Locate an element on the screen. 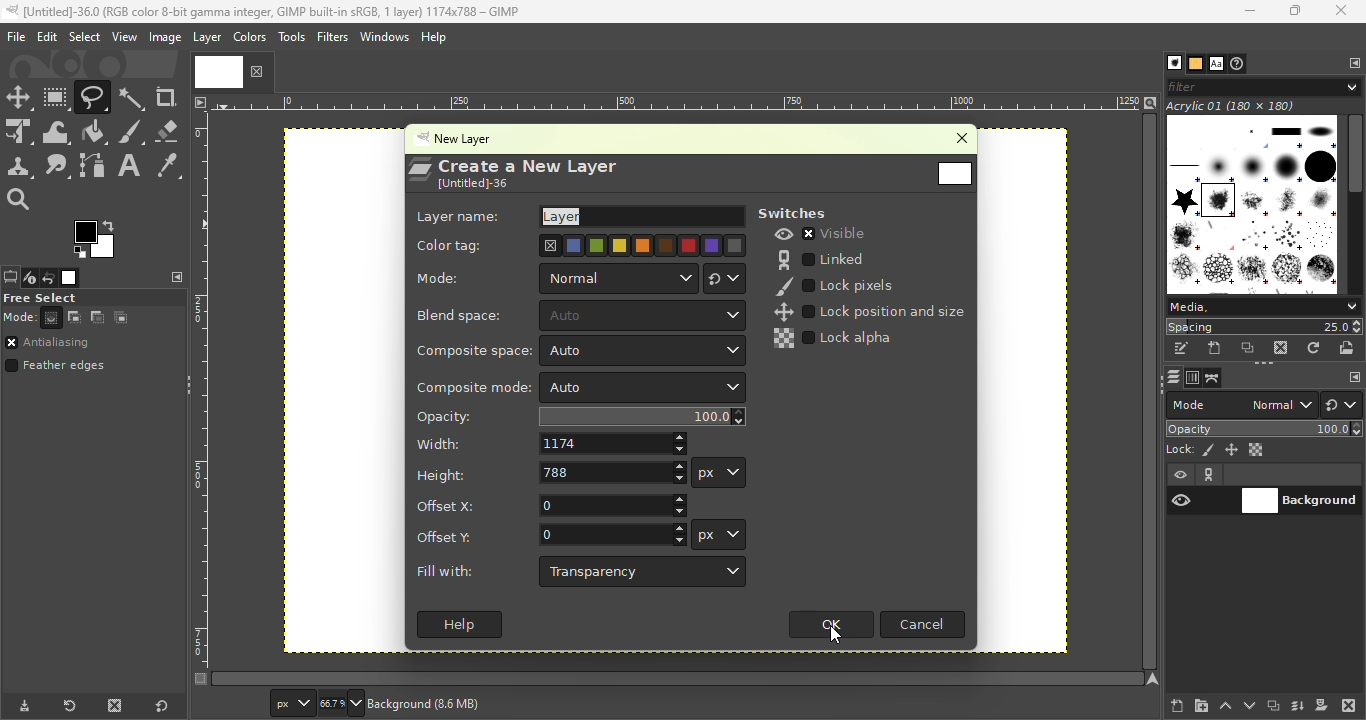  Media is located at coordinates (1262, 305).